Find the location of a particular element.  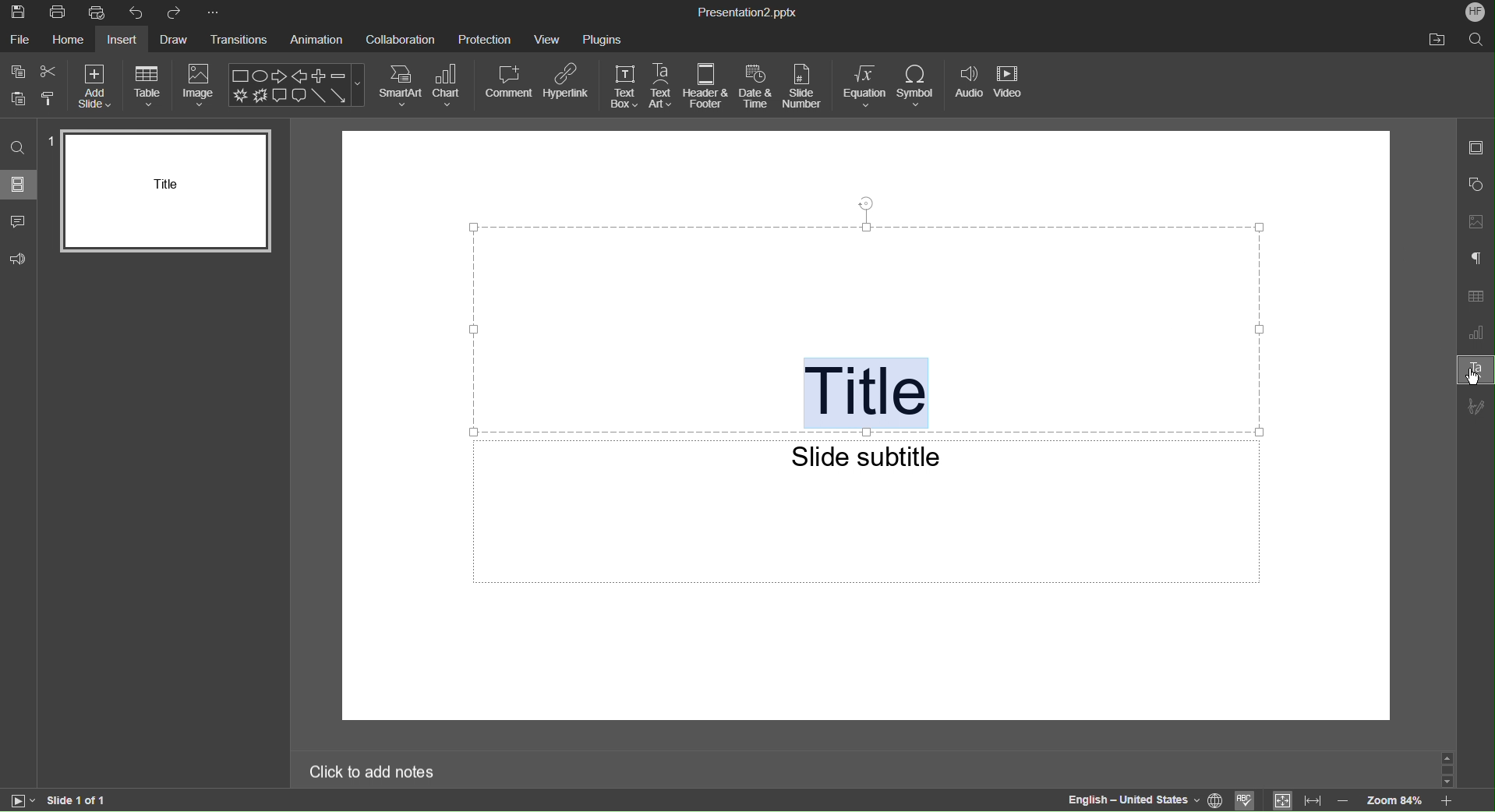

Language is located at coordinates (1129, 800).